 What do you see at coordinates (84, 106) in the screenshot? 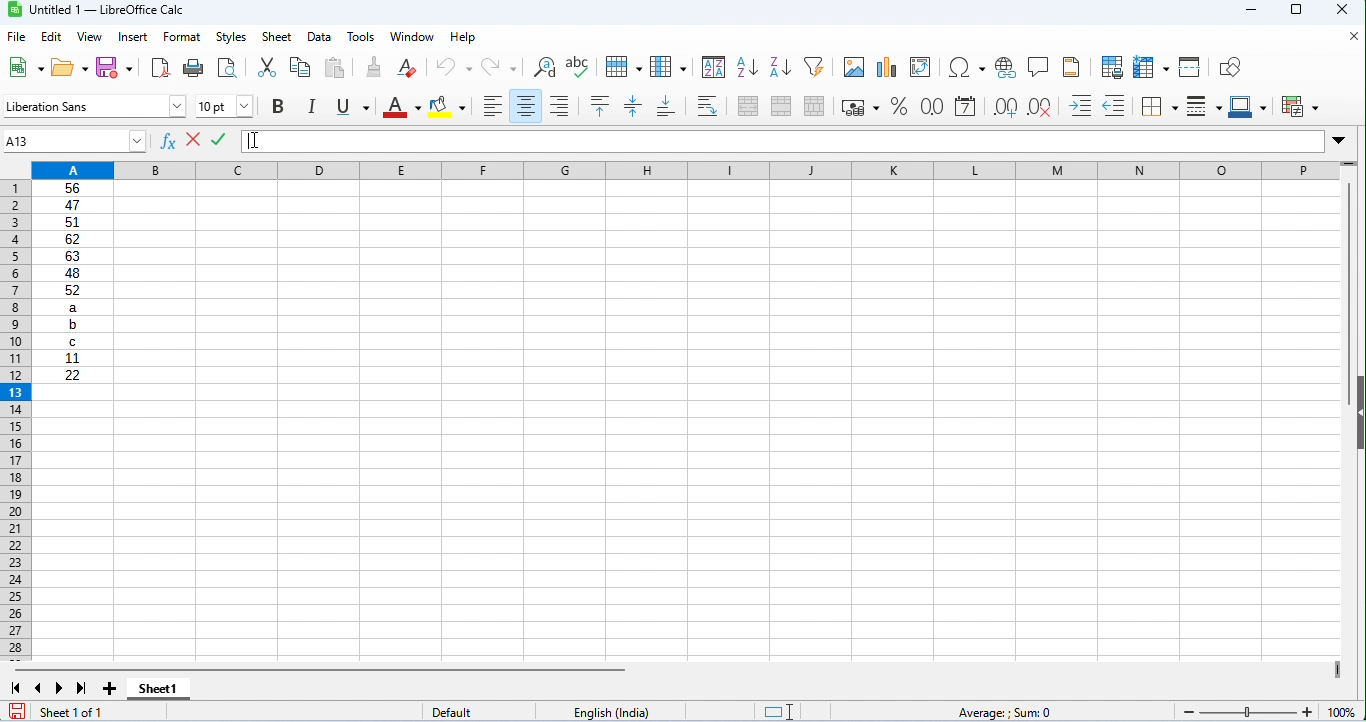
I see `font style input` at bounding box center [84, 106].